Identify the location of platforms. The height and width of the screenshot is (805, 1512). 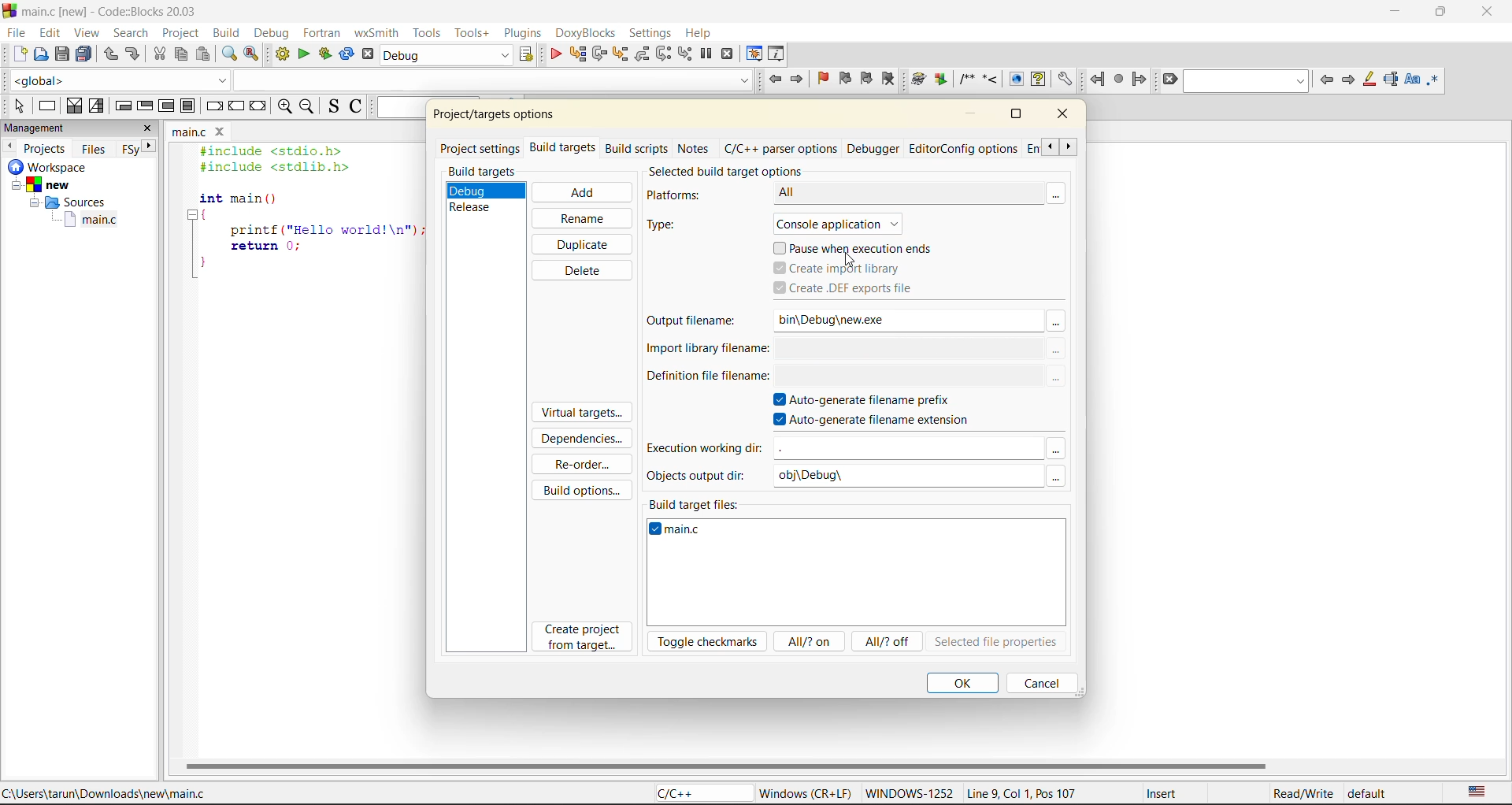
(683, 196).